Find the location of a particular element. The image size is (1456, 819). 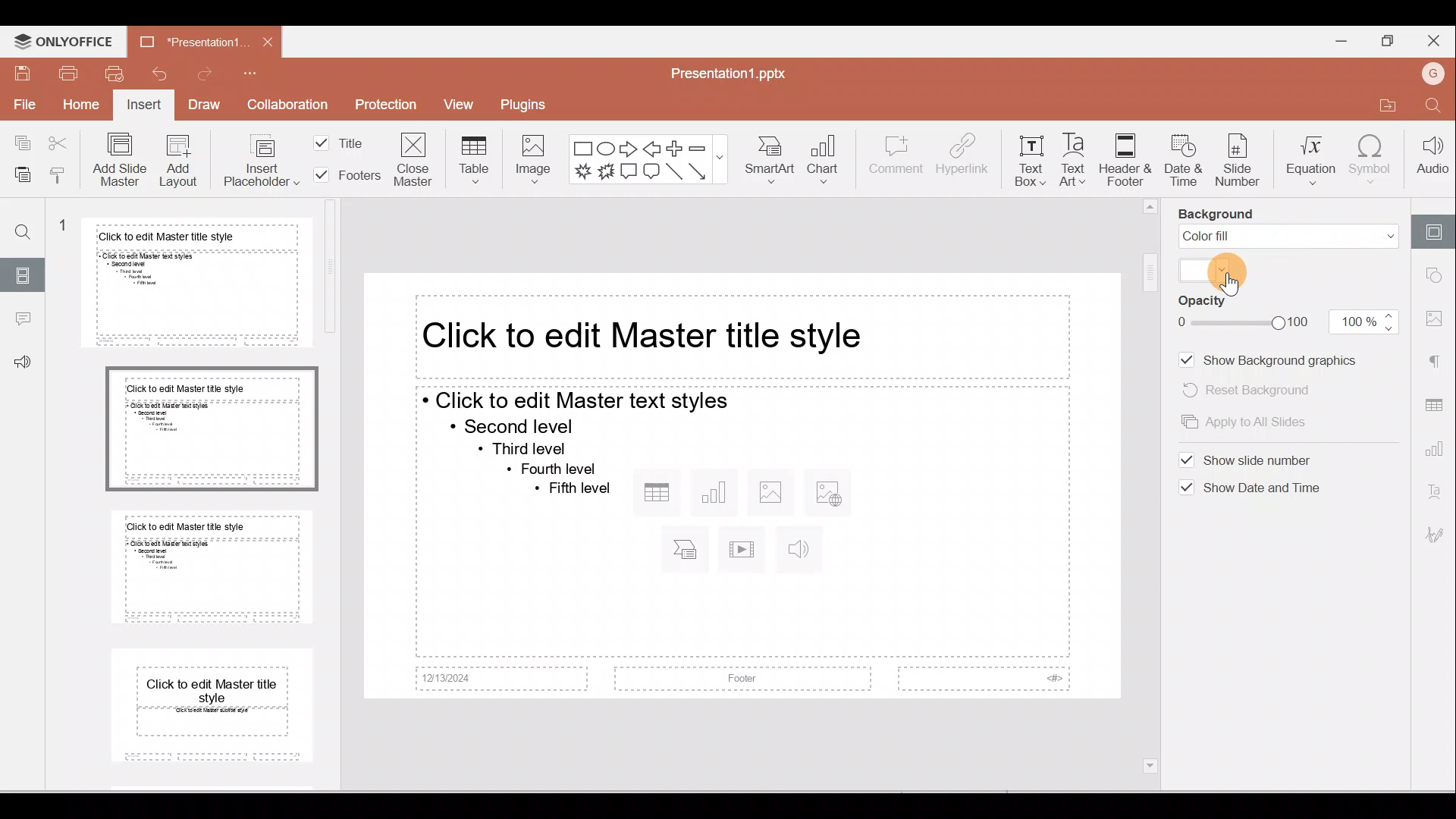

Opacity is located at coordinates (1215, 302).